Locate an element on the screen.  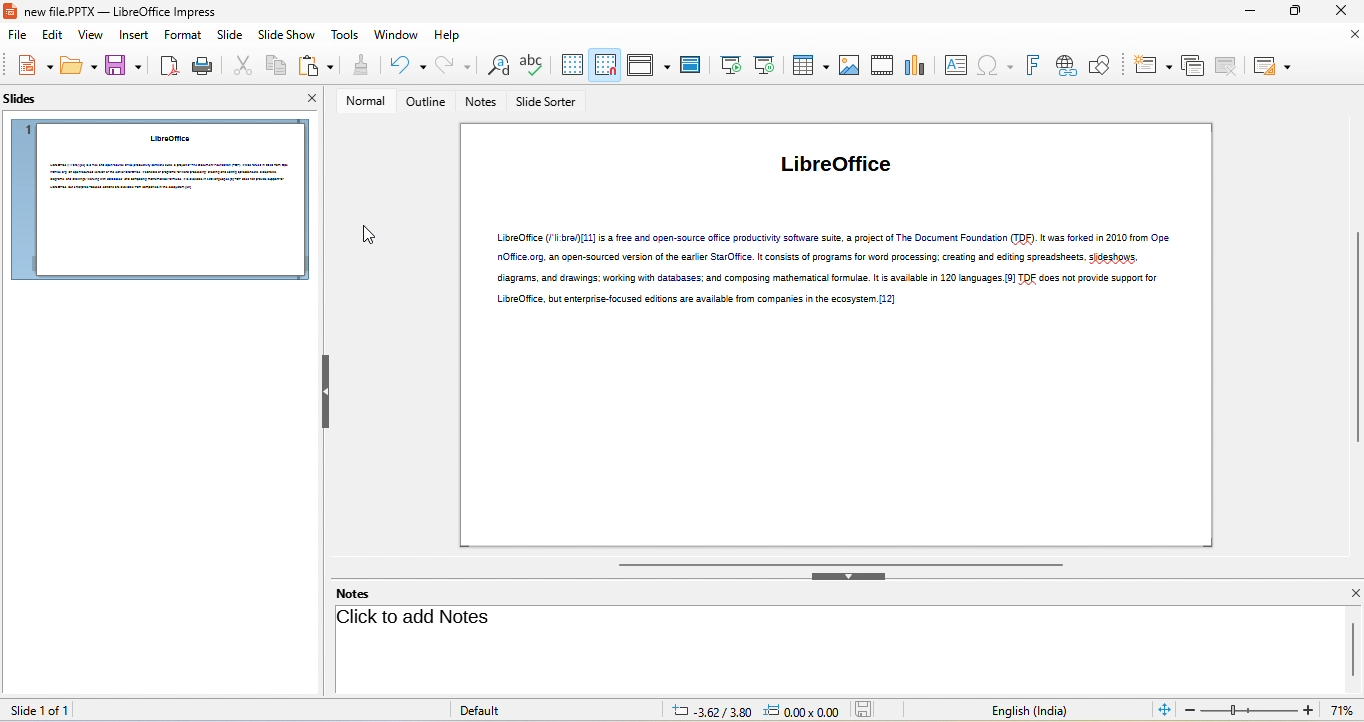
slide show is located at coordinates (287, 36).